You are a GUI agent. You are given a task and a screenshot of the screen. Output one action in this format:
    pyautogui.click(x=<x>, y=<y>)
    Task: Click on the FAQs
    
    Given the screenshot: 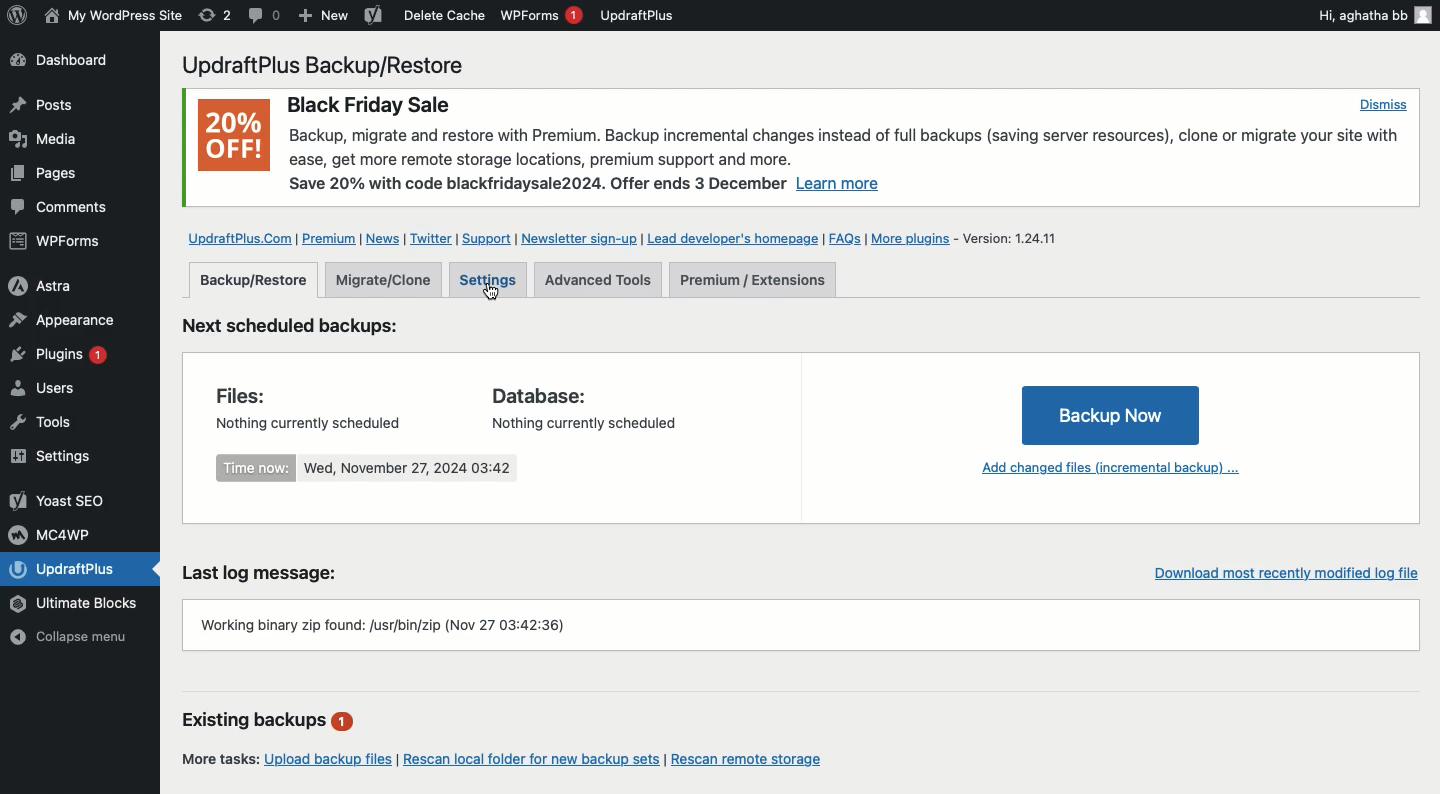 What is the action you would take?
    pyautogui.click(x=845, y=238)
    